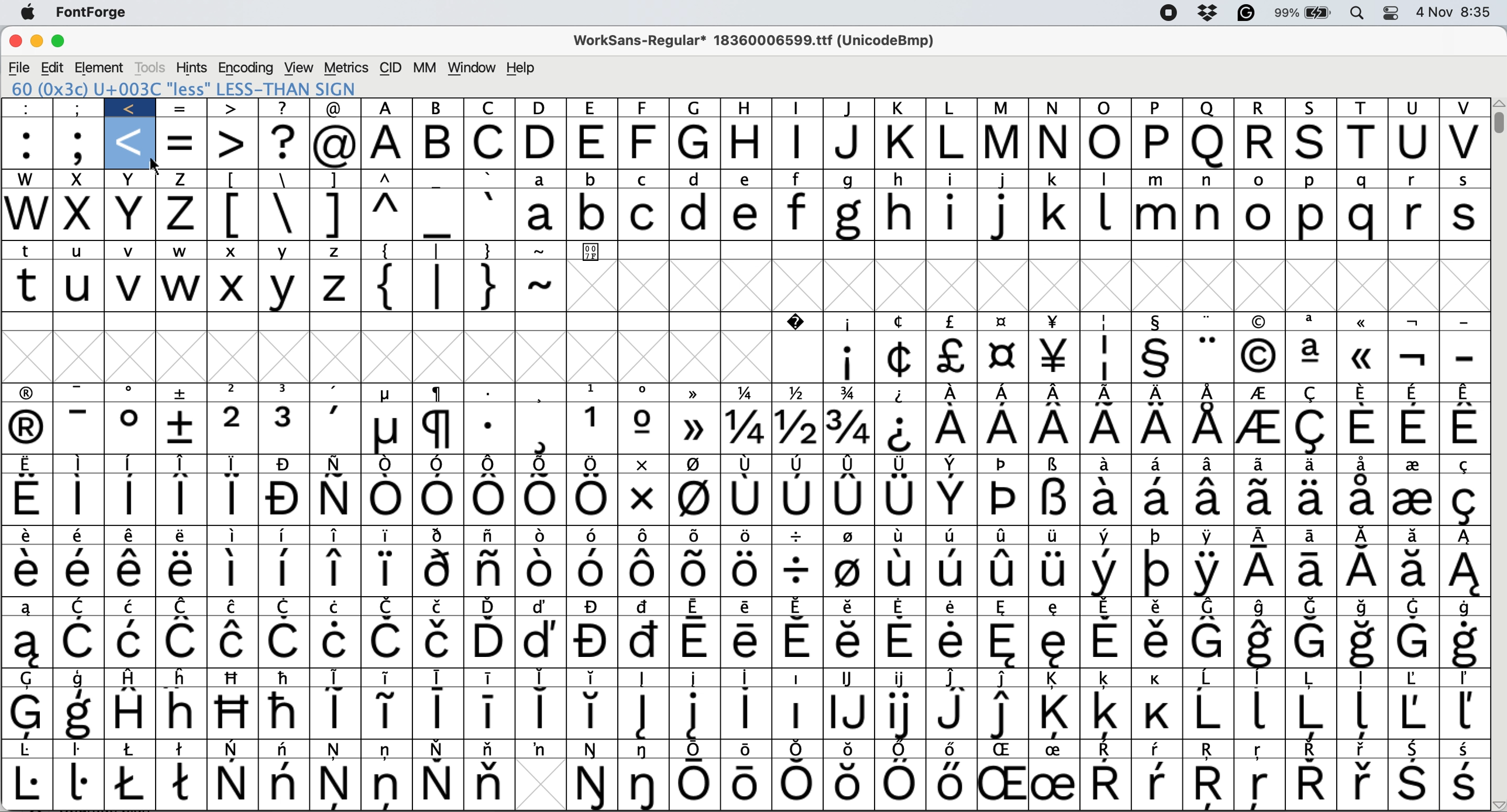 The height and width of the screenshot is (812, 1507). Describe the element at coordinates (1054, 749) in the screenshot. I see `Symbol` at that location.